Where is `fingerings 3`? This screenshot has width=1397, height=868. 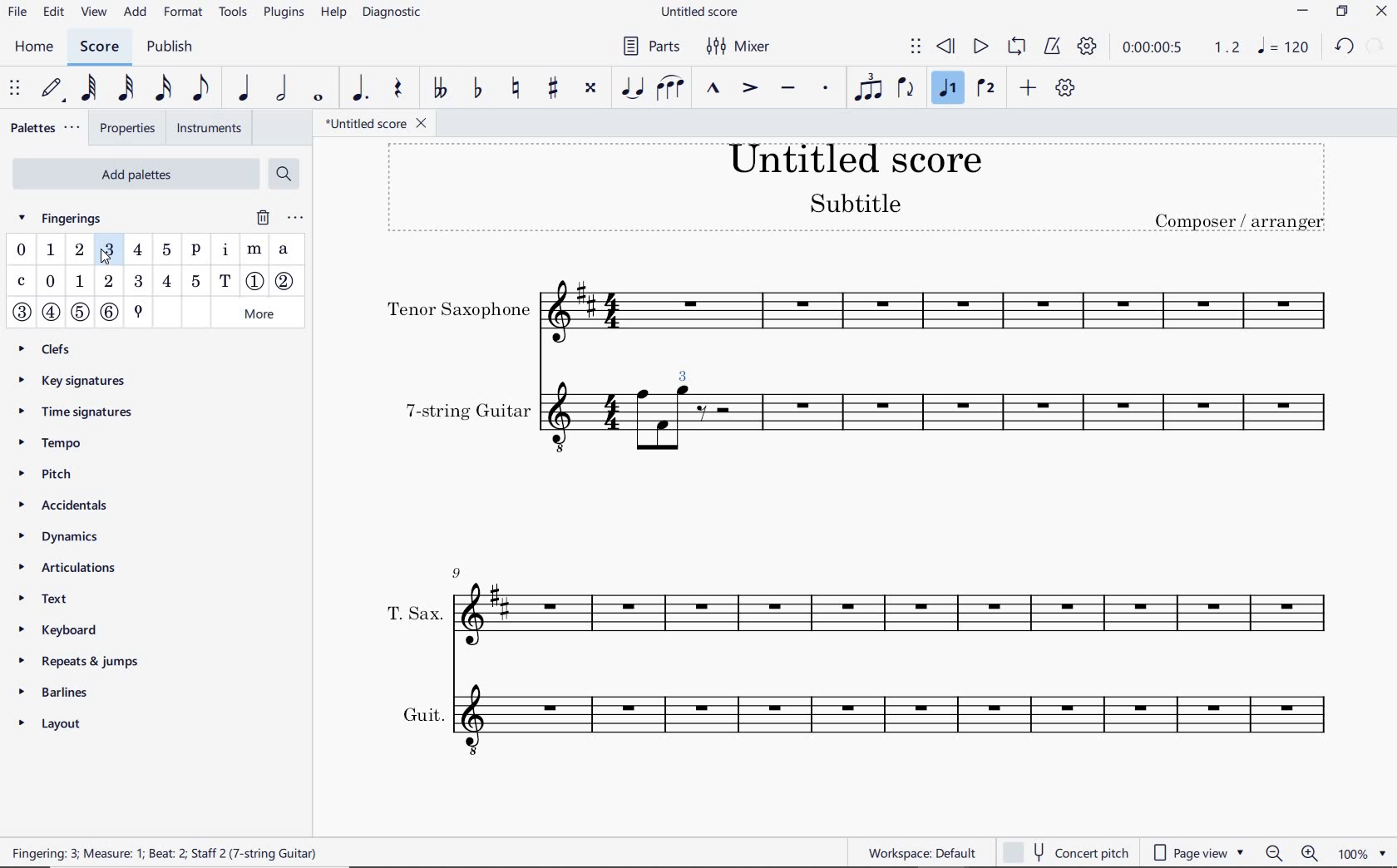 fingerings 3 is located at coordinates (109, 250).